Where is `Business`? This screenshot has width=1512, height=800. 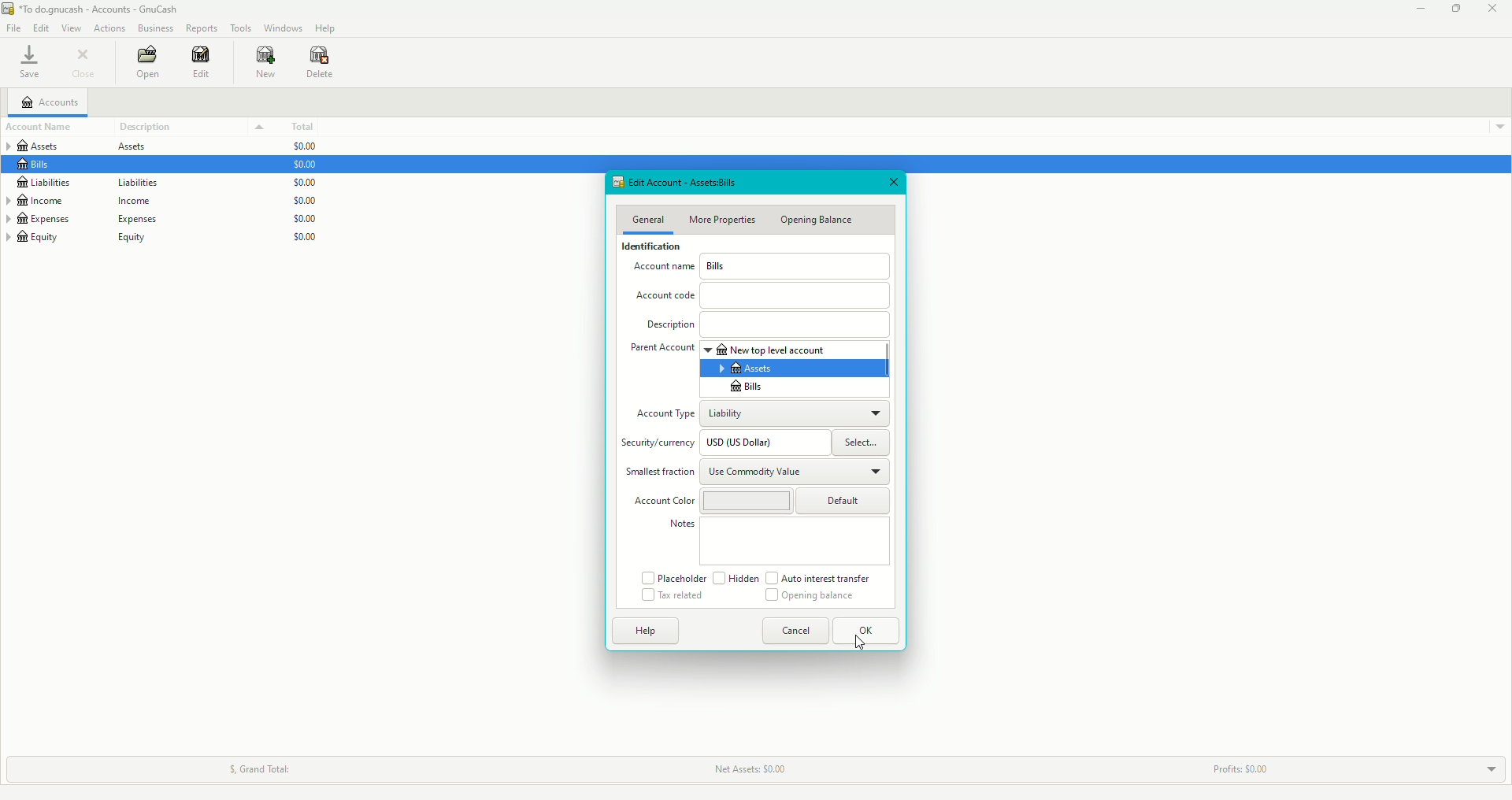
Business is located at coordinates (156, 28).